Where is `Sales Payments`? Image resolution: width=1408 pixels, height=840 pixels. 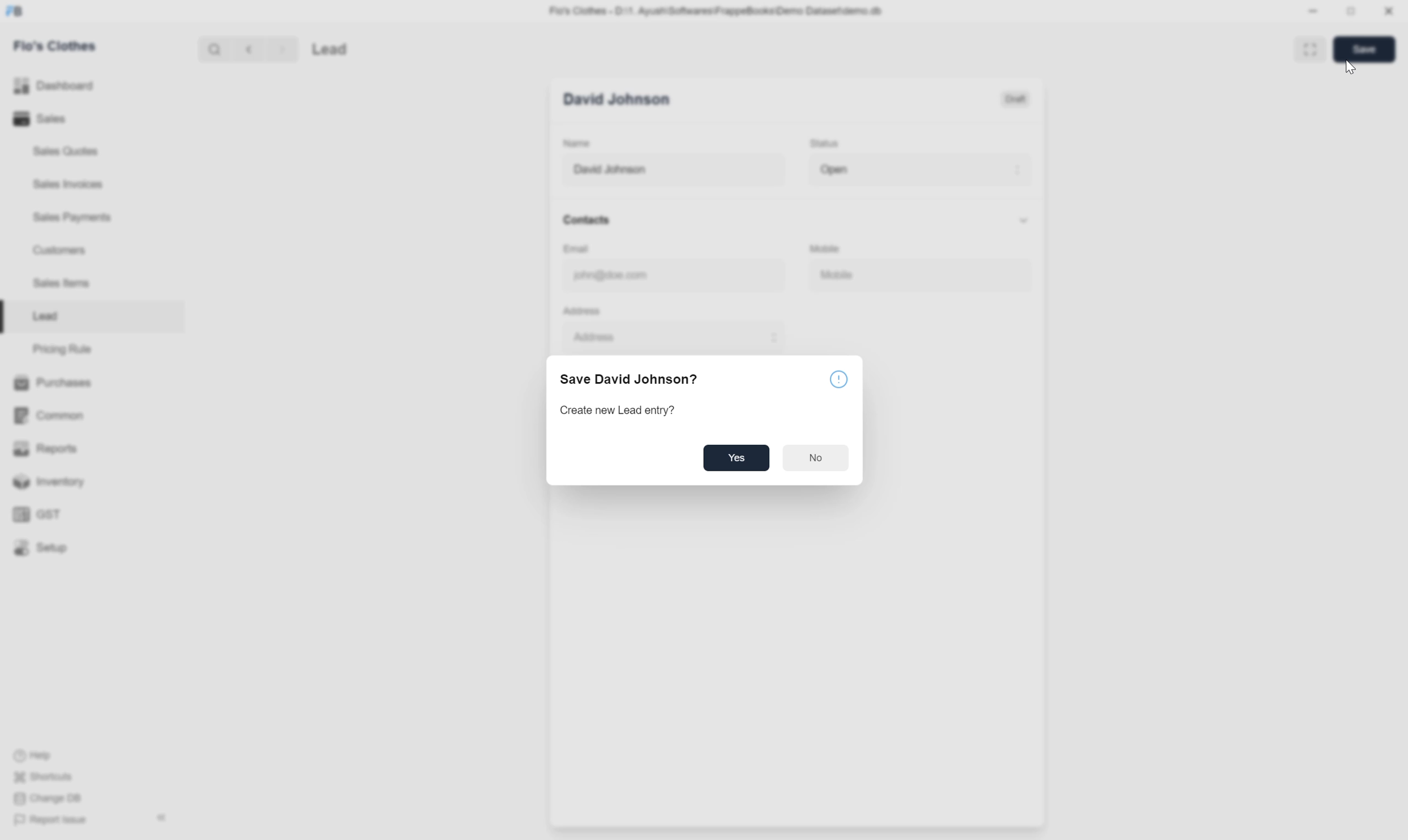 Sales Payments is located at coordinates (74, 218).